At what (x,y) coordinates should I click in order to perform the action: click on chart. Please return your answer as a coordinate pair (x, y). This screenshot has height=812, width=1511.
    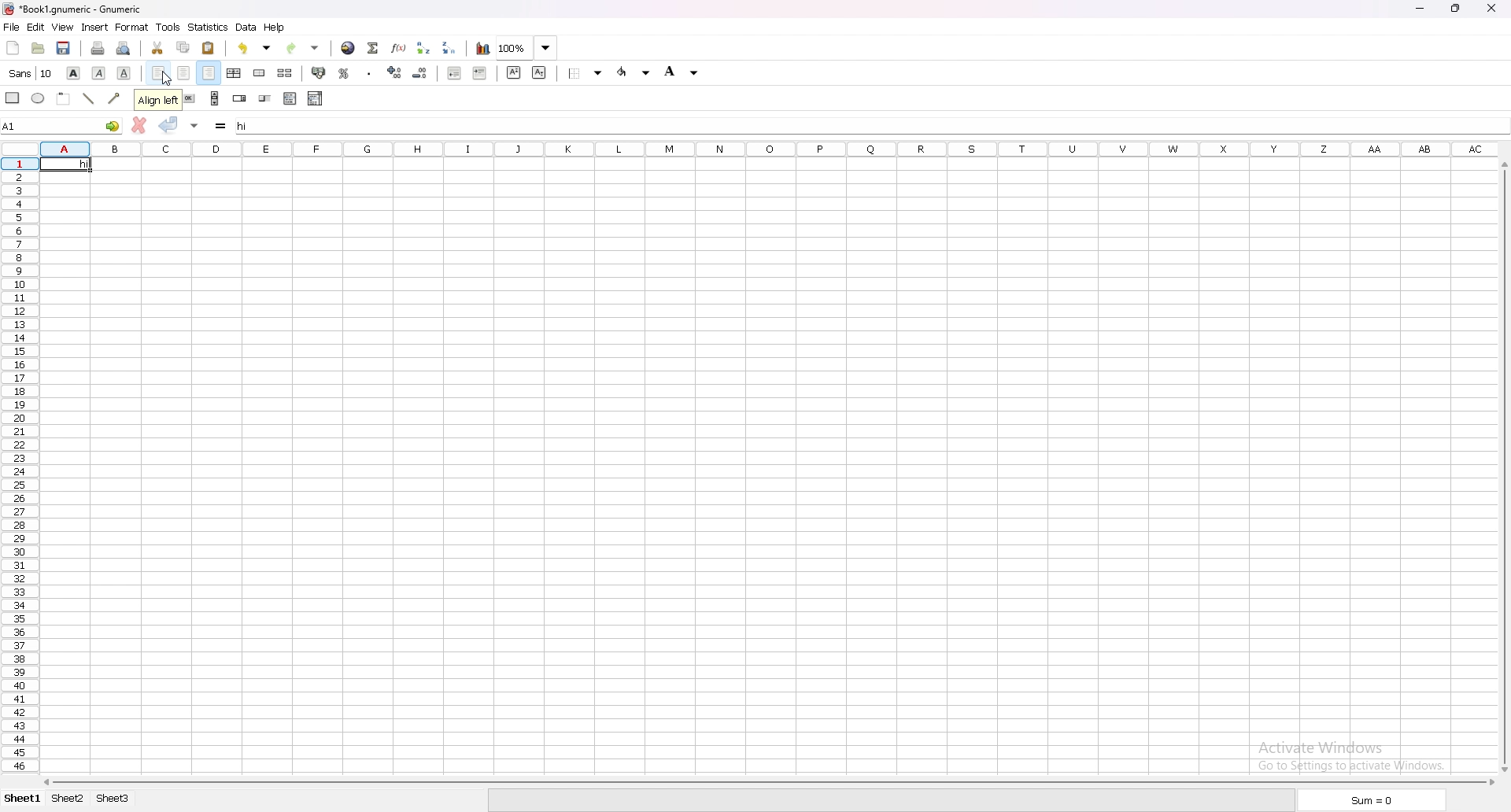
    Looking at the image, I should click on (482, 49).